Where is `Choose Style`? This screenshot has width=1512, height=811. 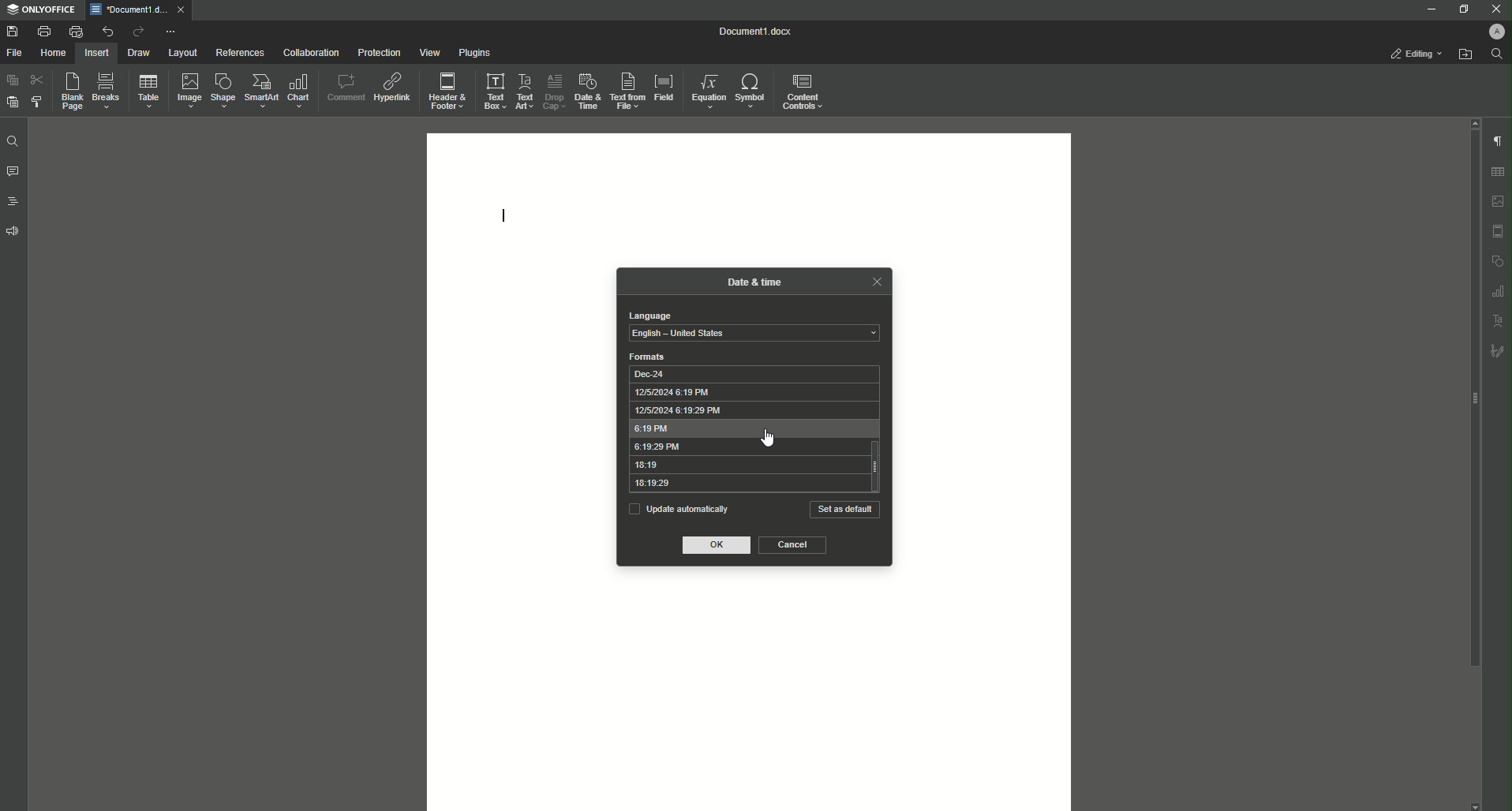 Choose Style is located at coordinates (37, 102).